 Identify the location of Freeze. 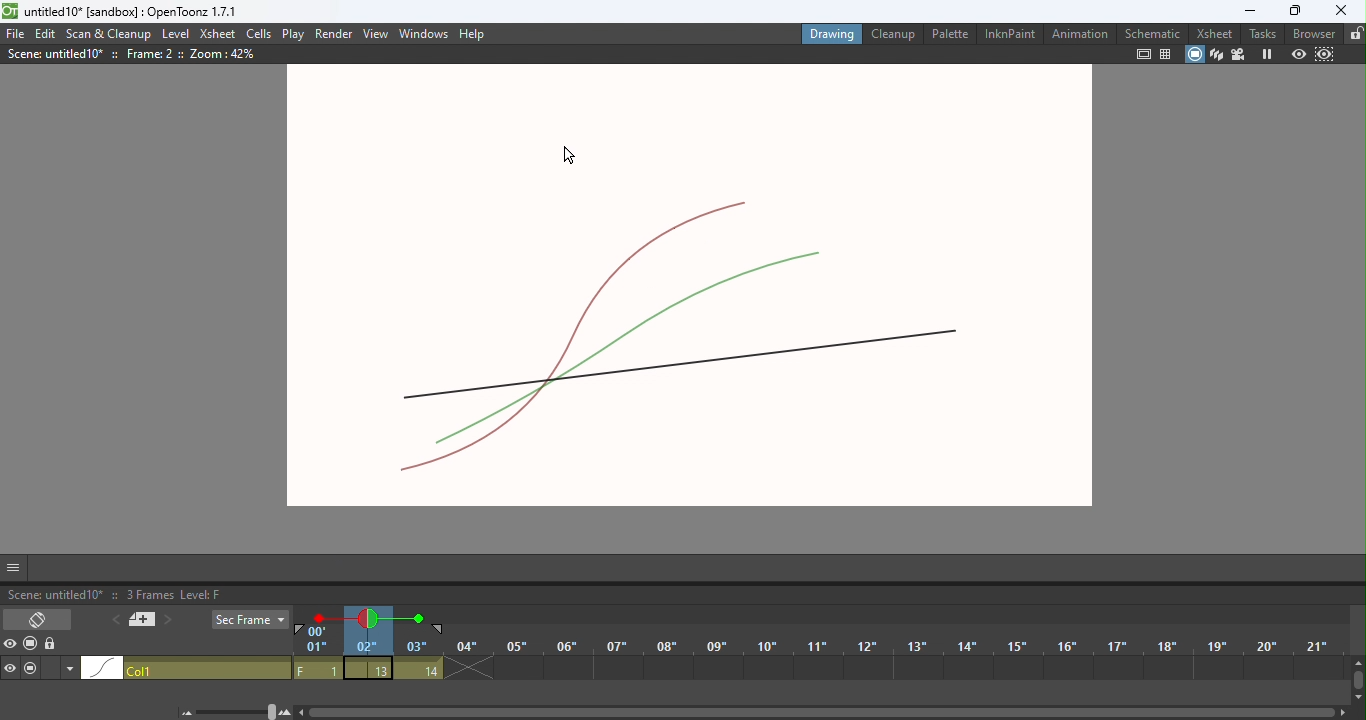
(1266, 55).